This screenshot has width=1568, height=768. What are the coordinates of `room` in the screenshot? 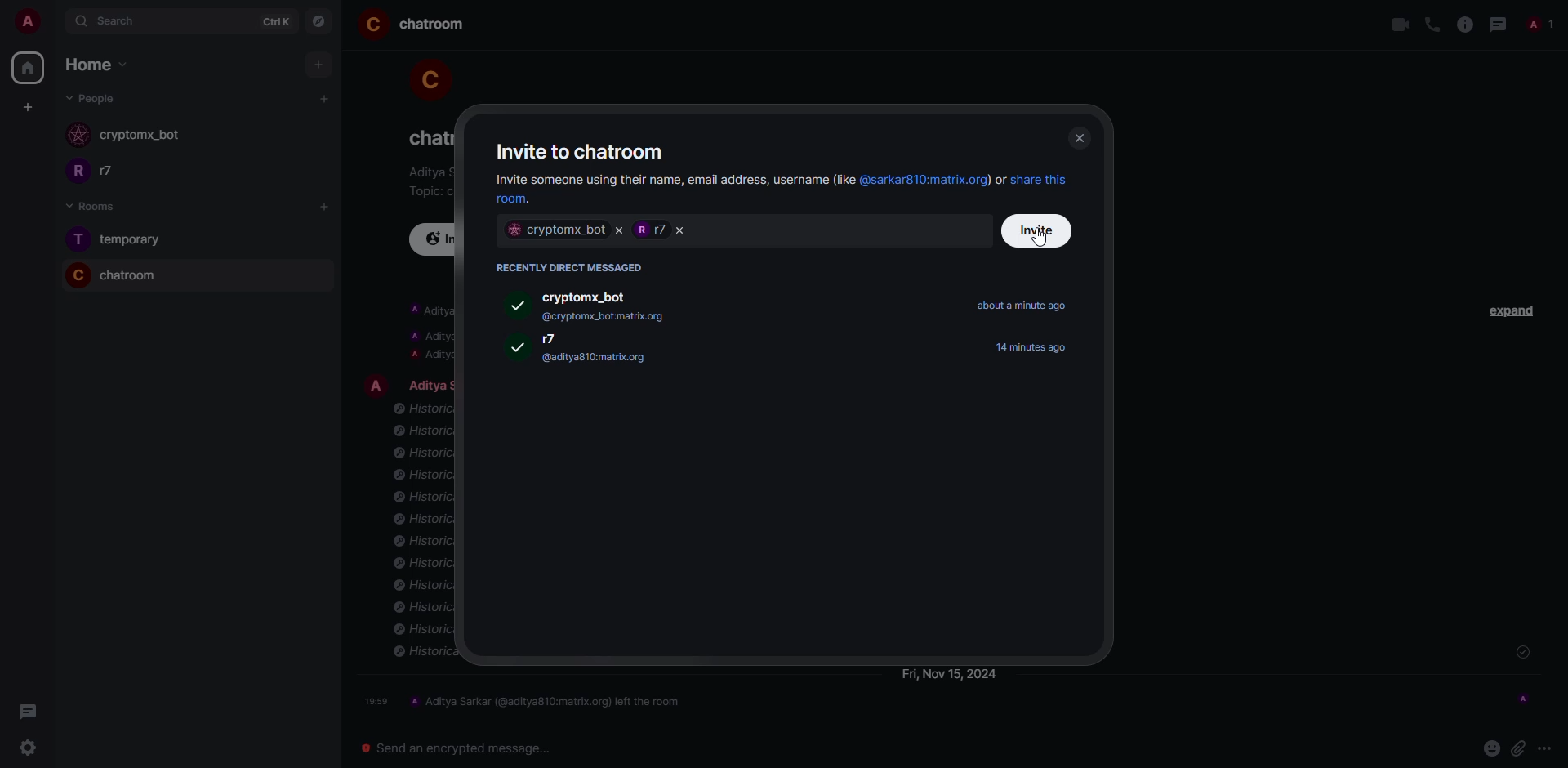 It's located at (135, 239).